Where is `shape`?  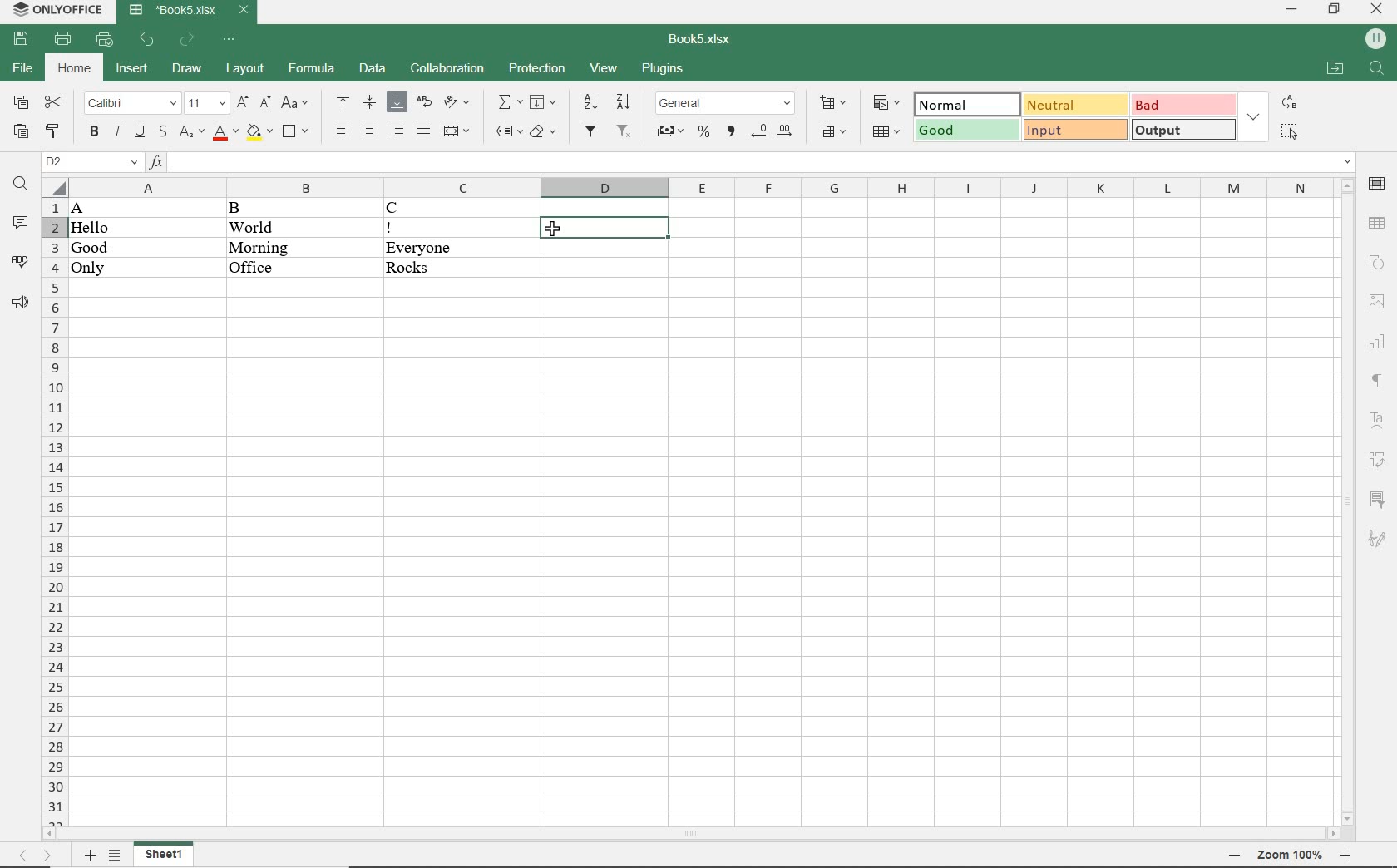 shape is located at coordinates (1377, 262).